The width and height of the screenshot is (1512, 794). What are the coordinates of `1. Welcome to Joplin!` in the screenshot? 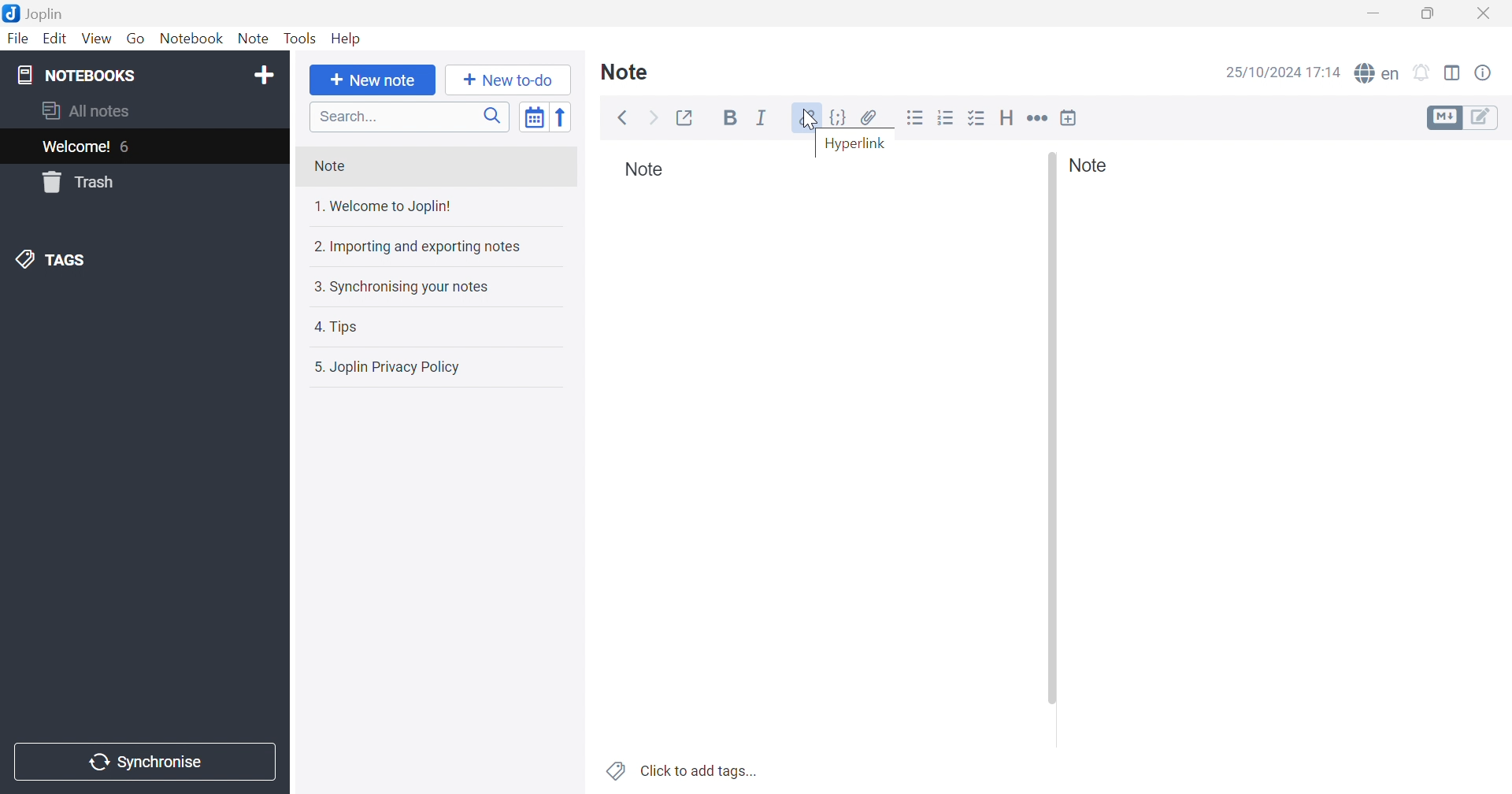 It's located at (427, 208).